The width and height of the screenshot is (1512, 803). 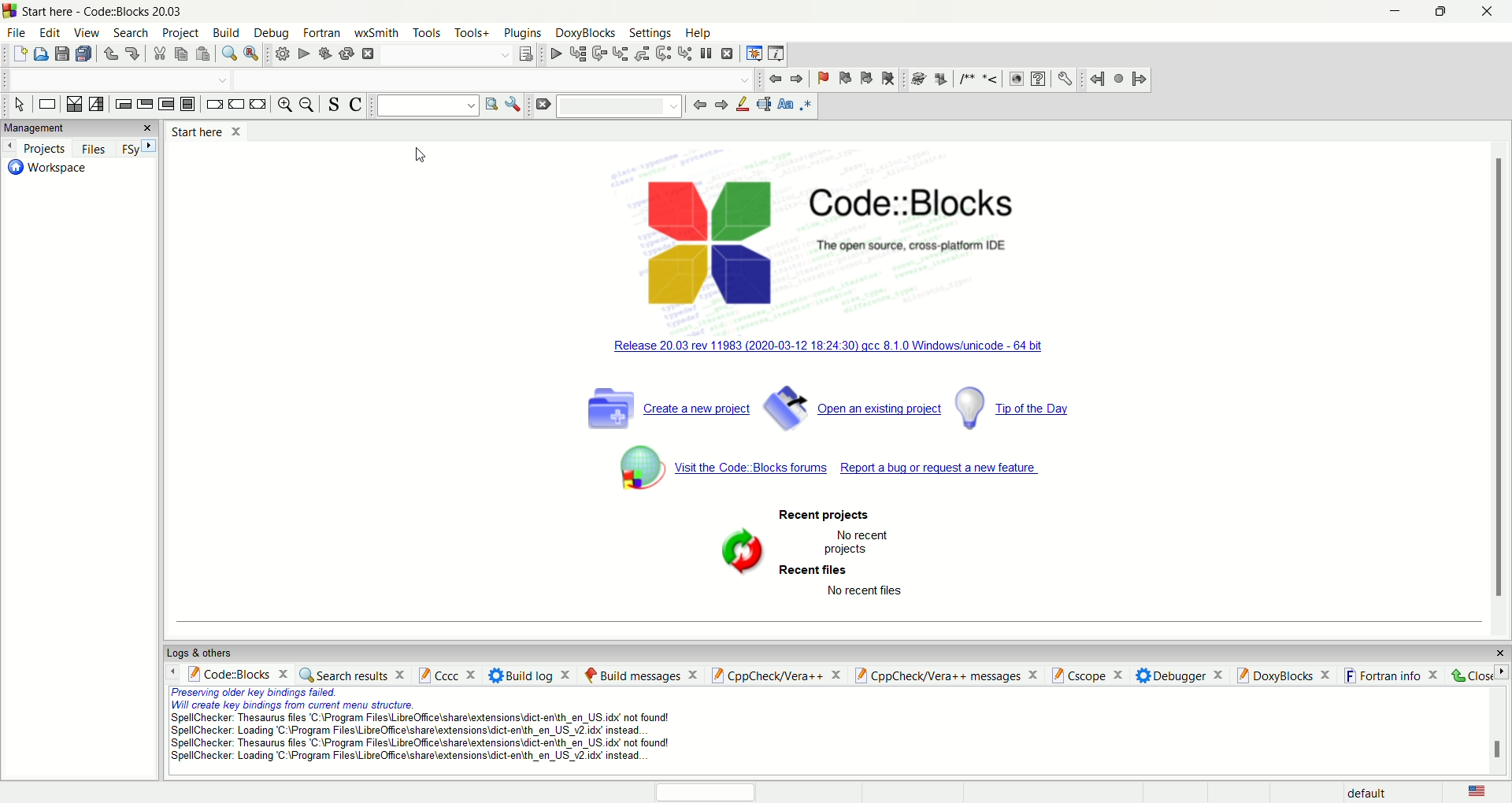 What do you see at coordinates (213, 104) in the screenshot?
I see `break` at bounding box center [213, 104].